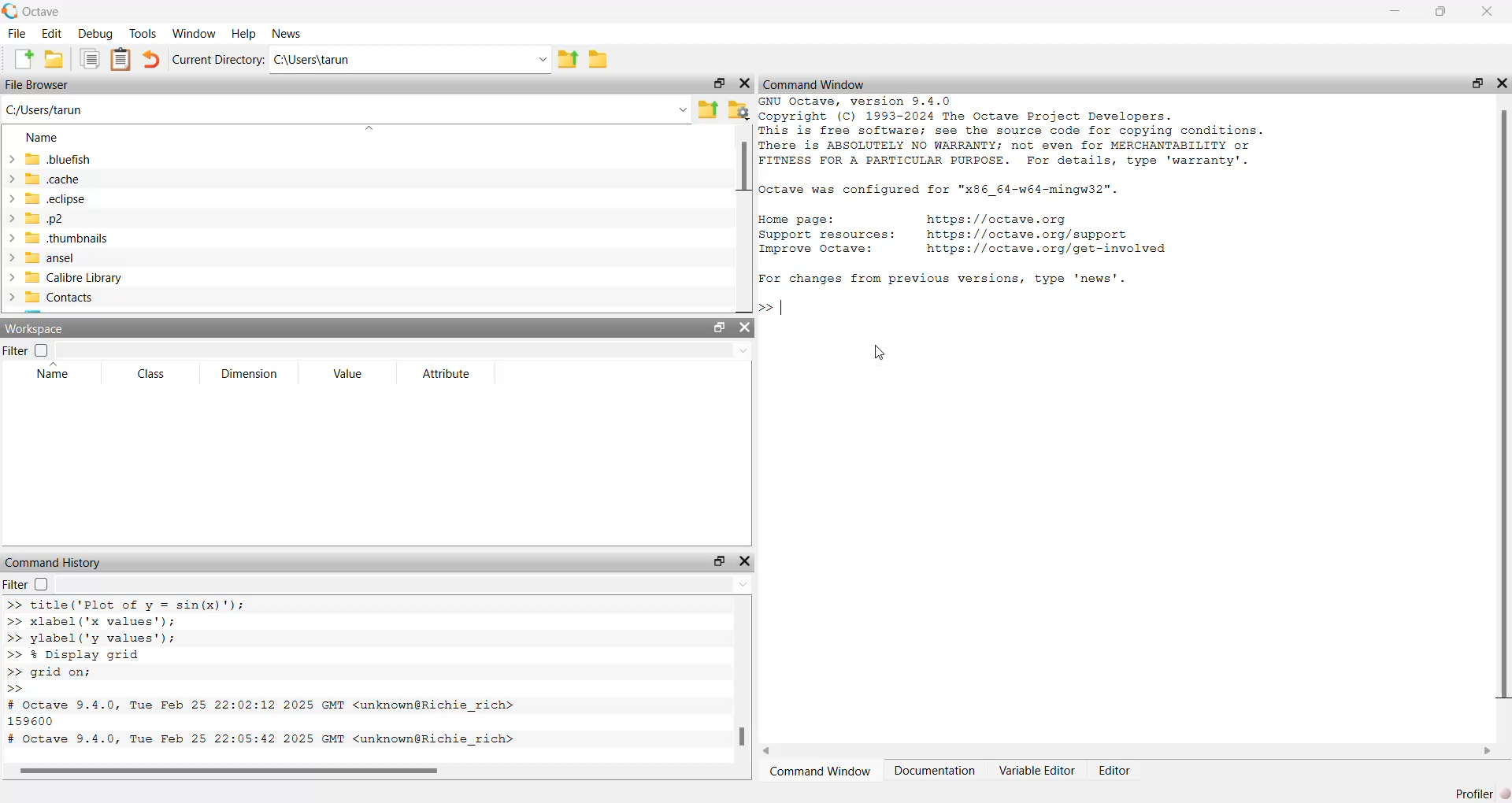 This screenshot has width=1512, height=803. What do you see at coordinates (50, 199) in the screenshot?
I see `.eclipse` at bounding box center [50, 199].